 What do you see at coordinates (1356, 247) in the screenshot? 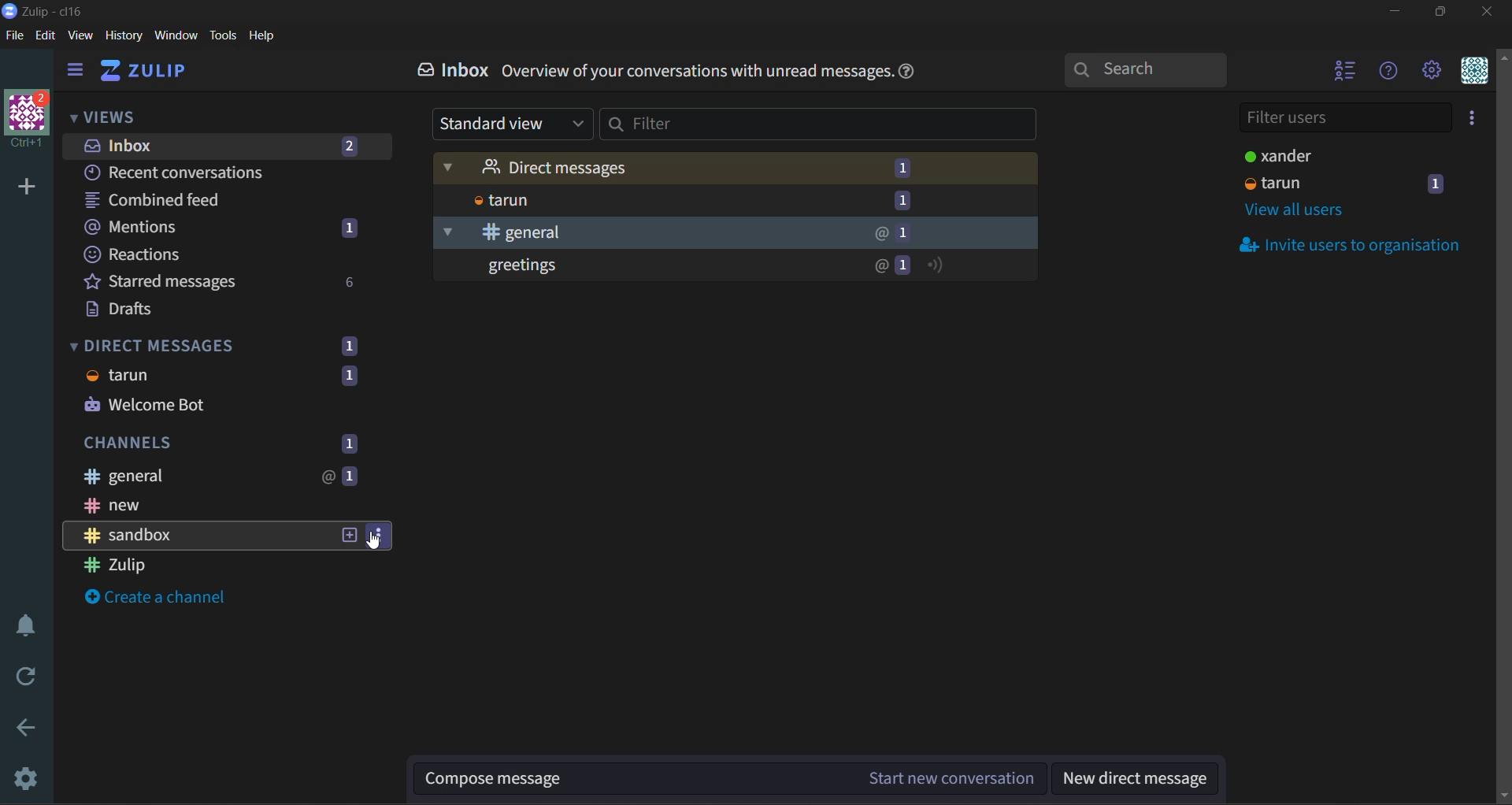
I see `invite users to organisation` at bounding box center [1356, 247].